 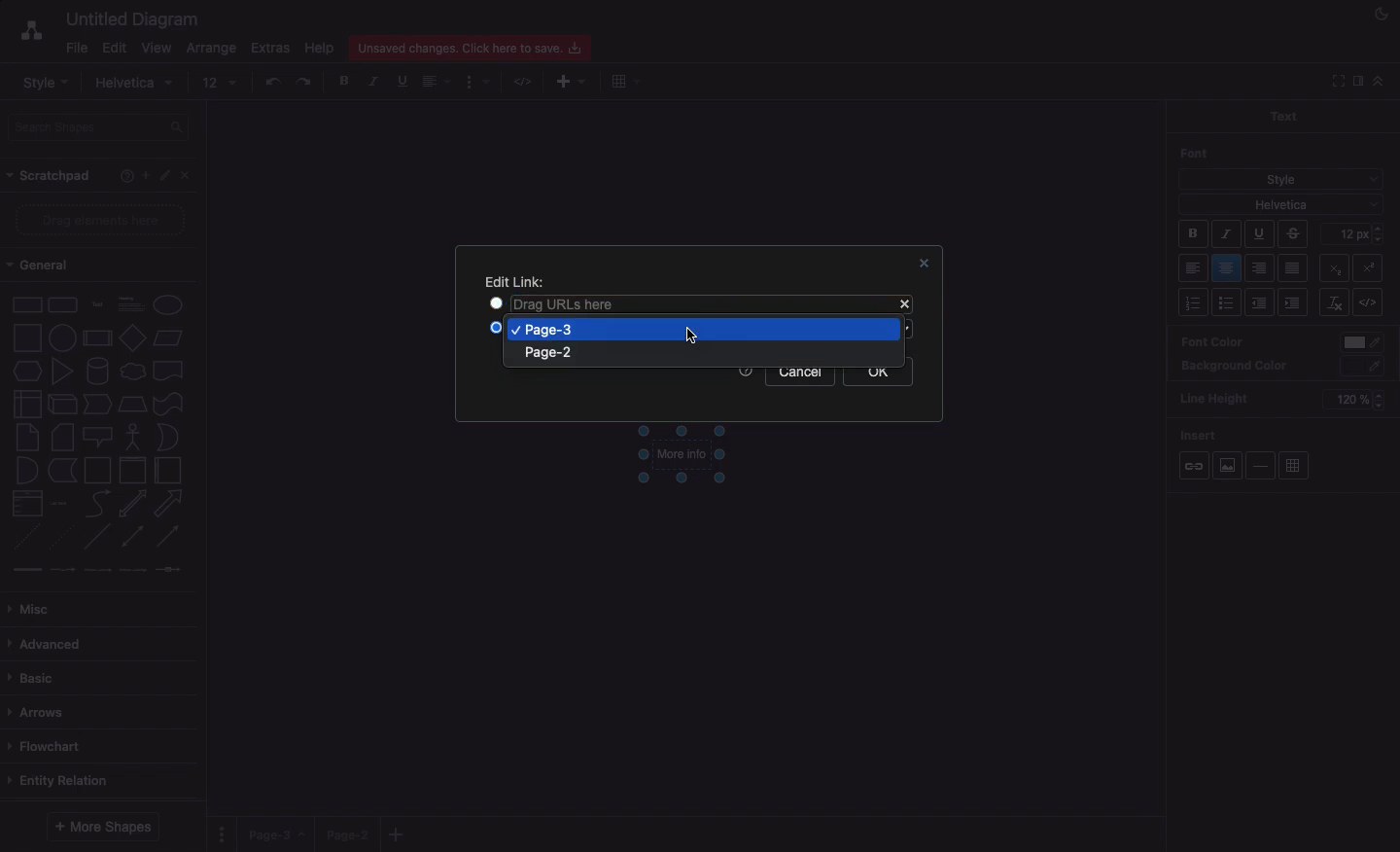 What do you see at coordinates (1364, 367) in the screenshot?
I see `color` at bounding box center [1364, 367].